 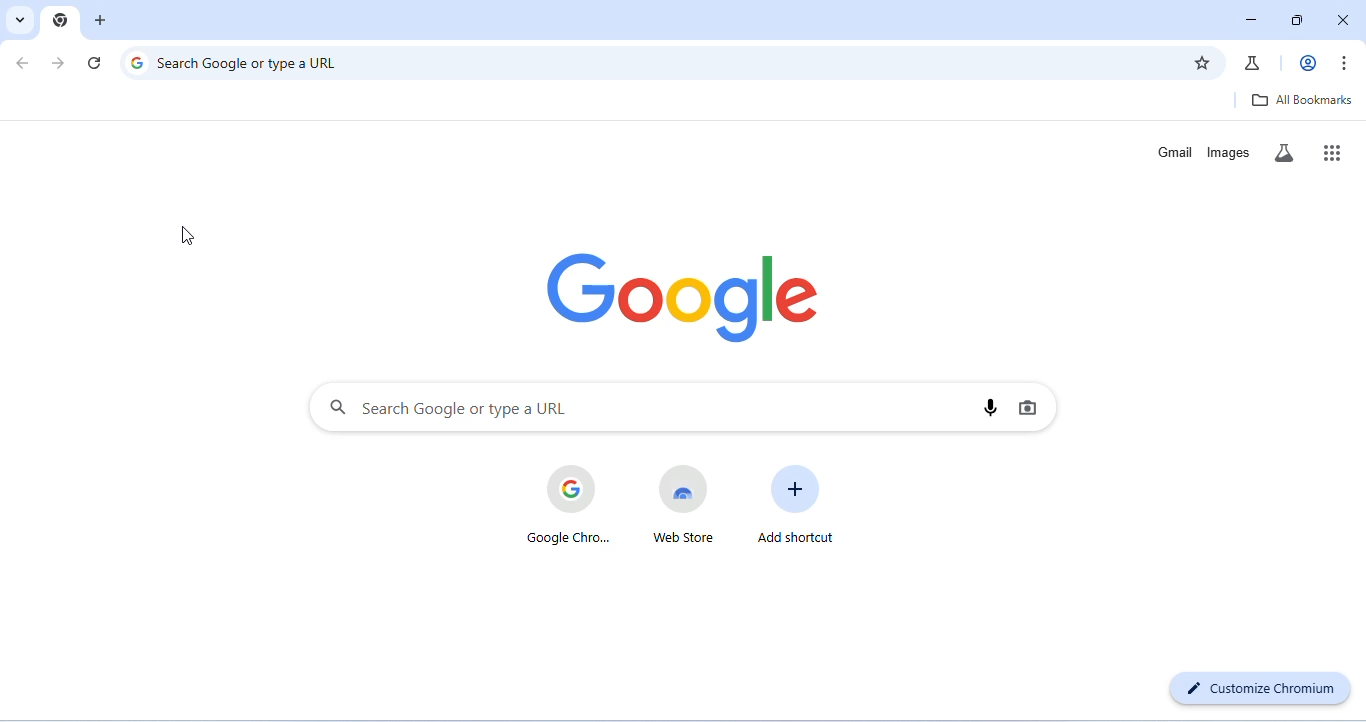 What do you see at coordinates (1333, 152) in the screenshot?
I see `google apps` at bounding box center [1333, 152].